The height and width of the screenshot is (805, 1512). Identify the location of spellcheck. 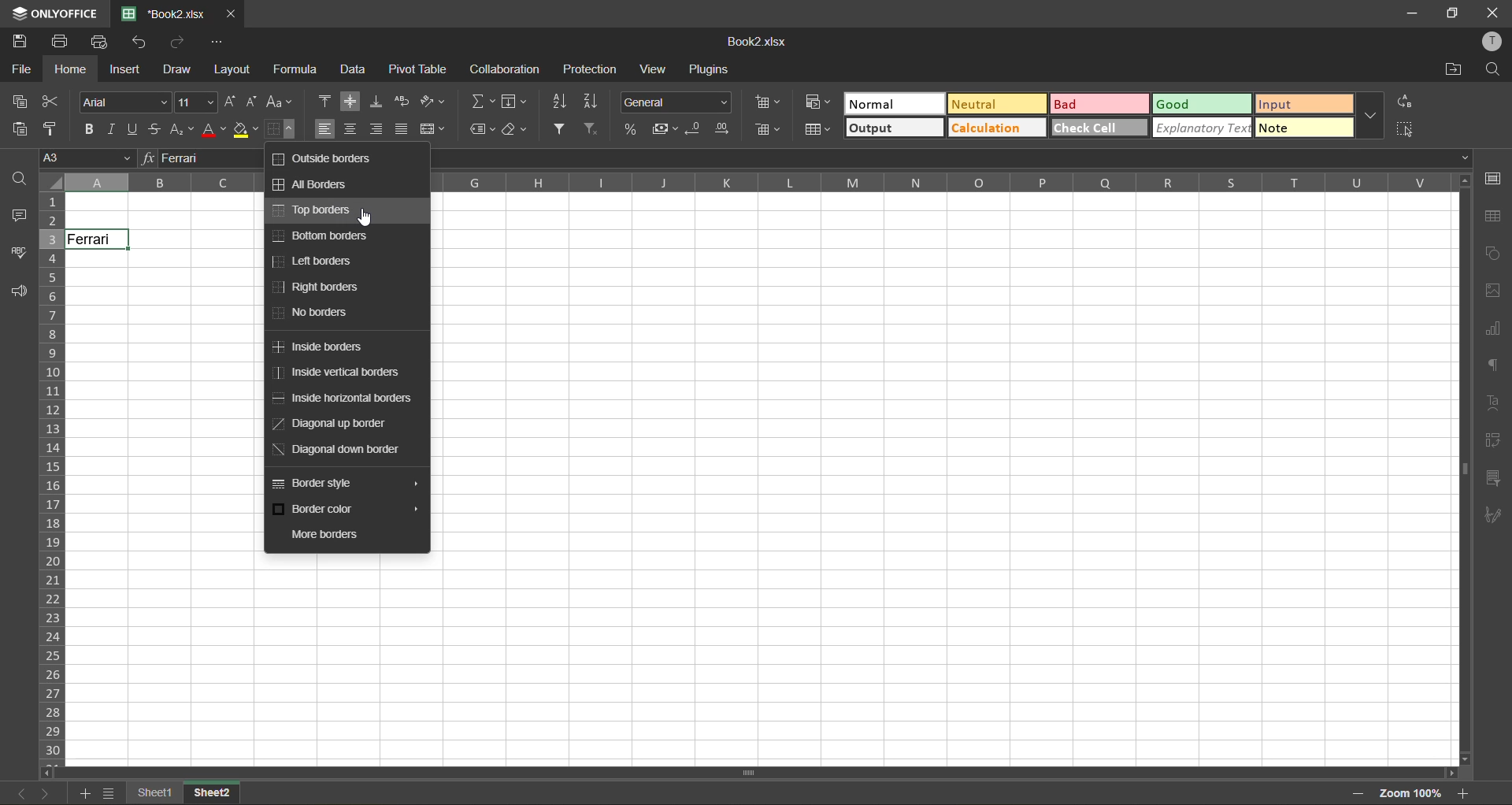
(18, 254).